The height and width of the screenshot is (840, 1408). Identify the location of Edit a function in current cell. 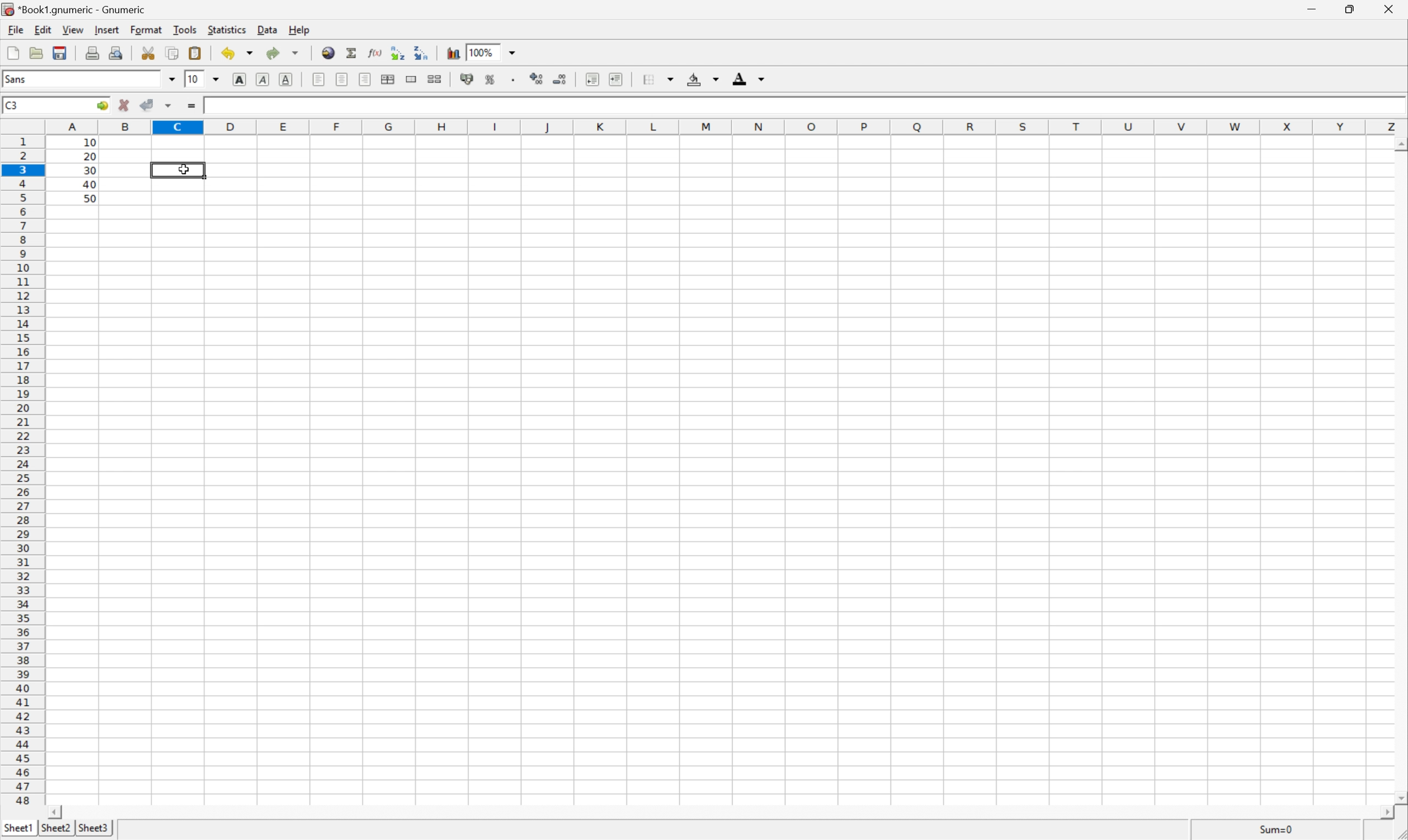
(374, 52).